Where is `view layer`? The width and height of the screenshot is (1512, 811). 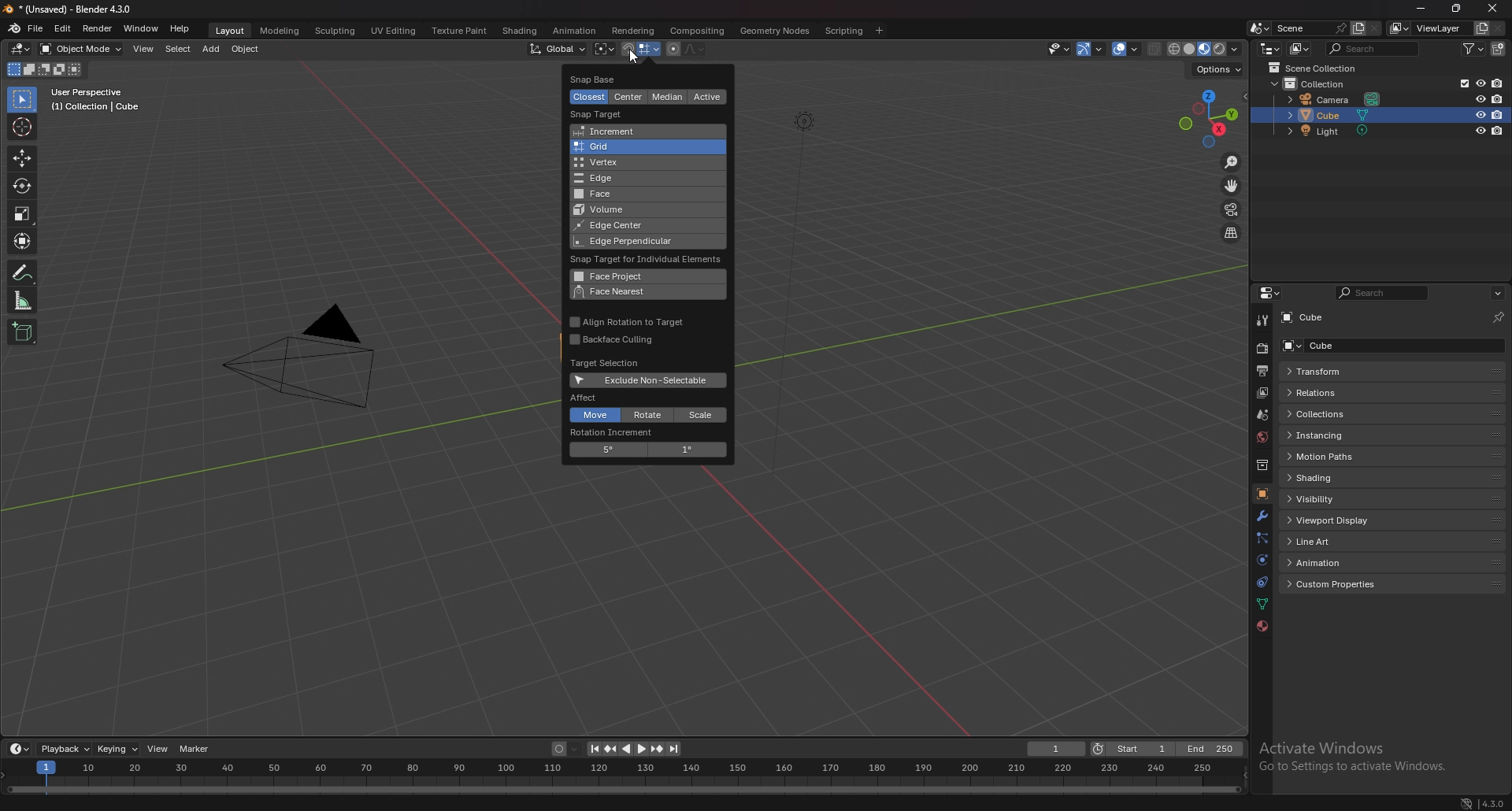 view layer is located at coordinates (1429, 28).